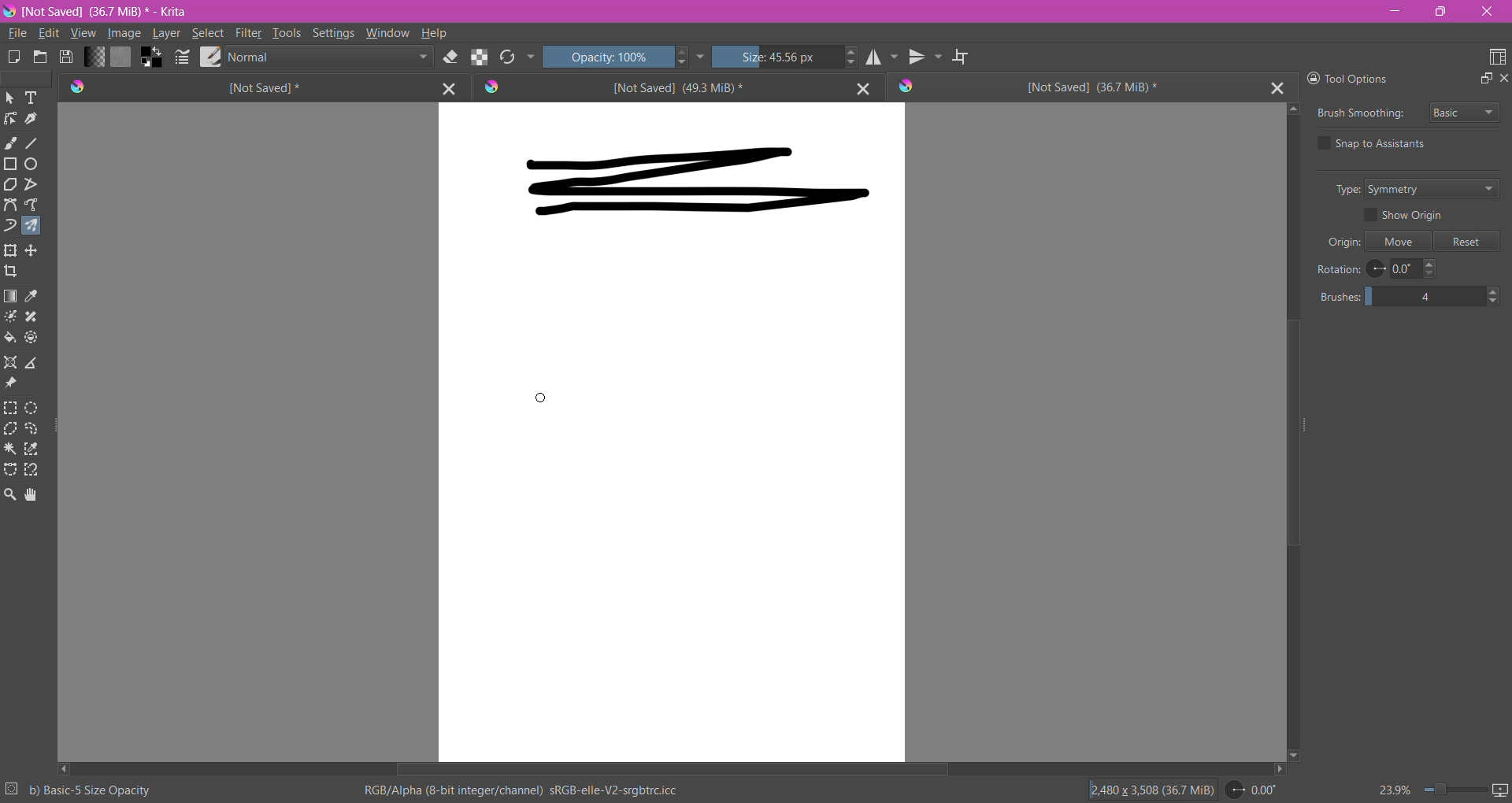 The width and height of the screenshot is (1512, 803). What do you see at coordinates (1400, 243) in the screenshot?
I see `Move` at bounding box center [1400, 243].